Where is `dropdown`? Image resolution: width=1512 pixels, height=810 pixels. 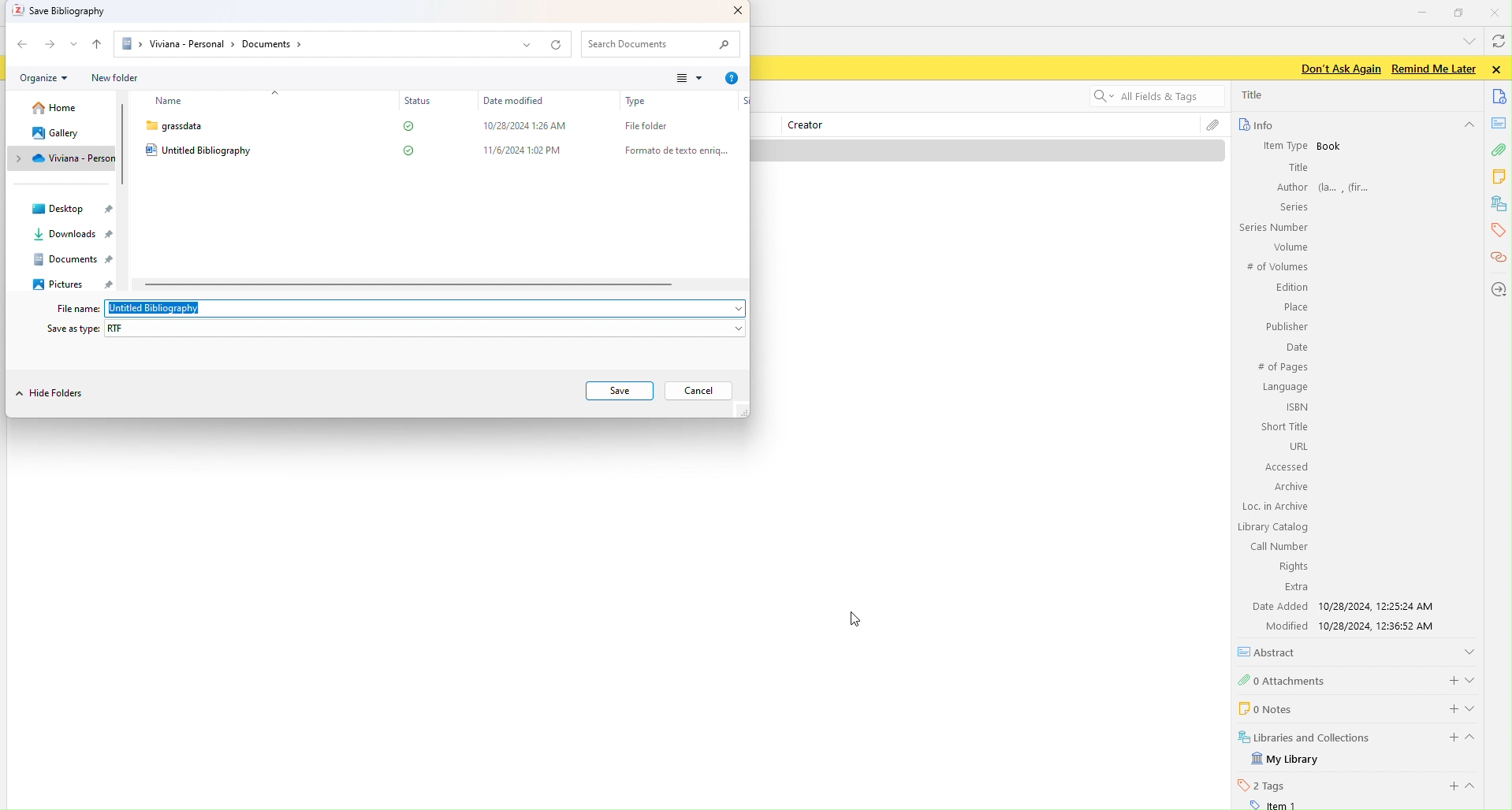 dropdown is located at coordinates (75, 43).